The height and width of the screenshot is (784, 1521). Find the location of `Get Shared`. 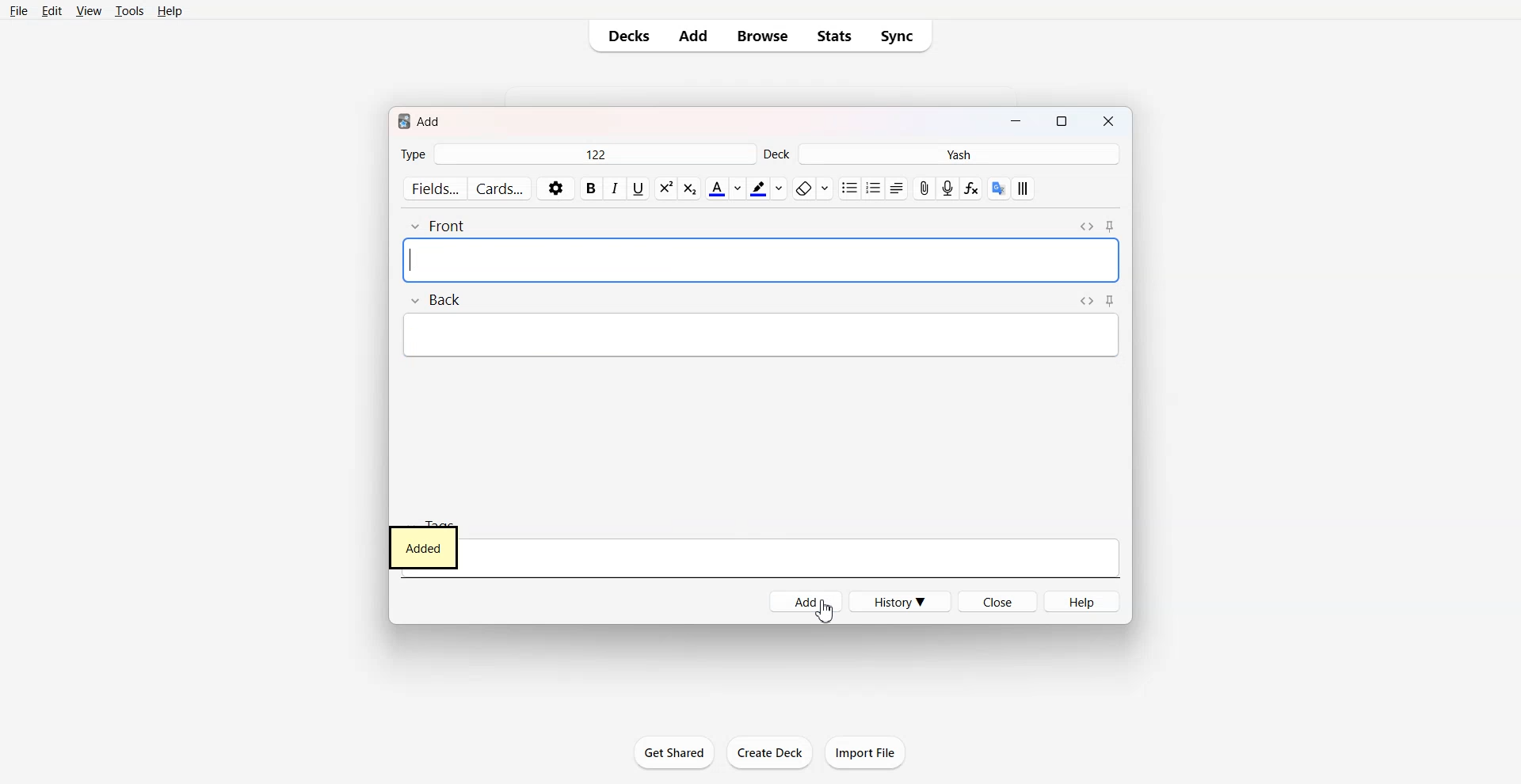

Get Shared is located at coordinates (673, 752).